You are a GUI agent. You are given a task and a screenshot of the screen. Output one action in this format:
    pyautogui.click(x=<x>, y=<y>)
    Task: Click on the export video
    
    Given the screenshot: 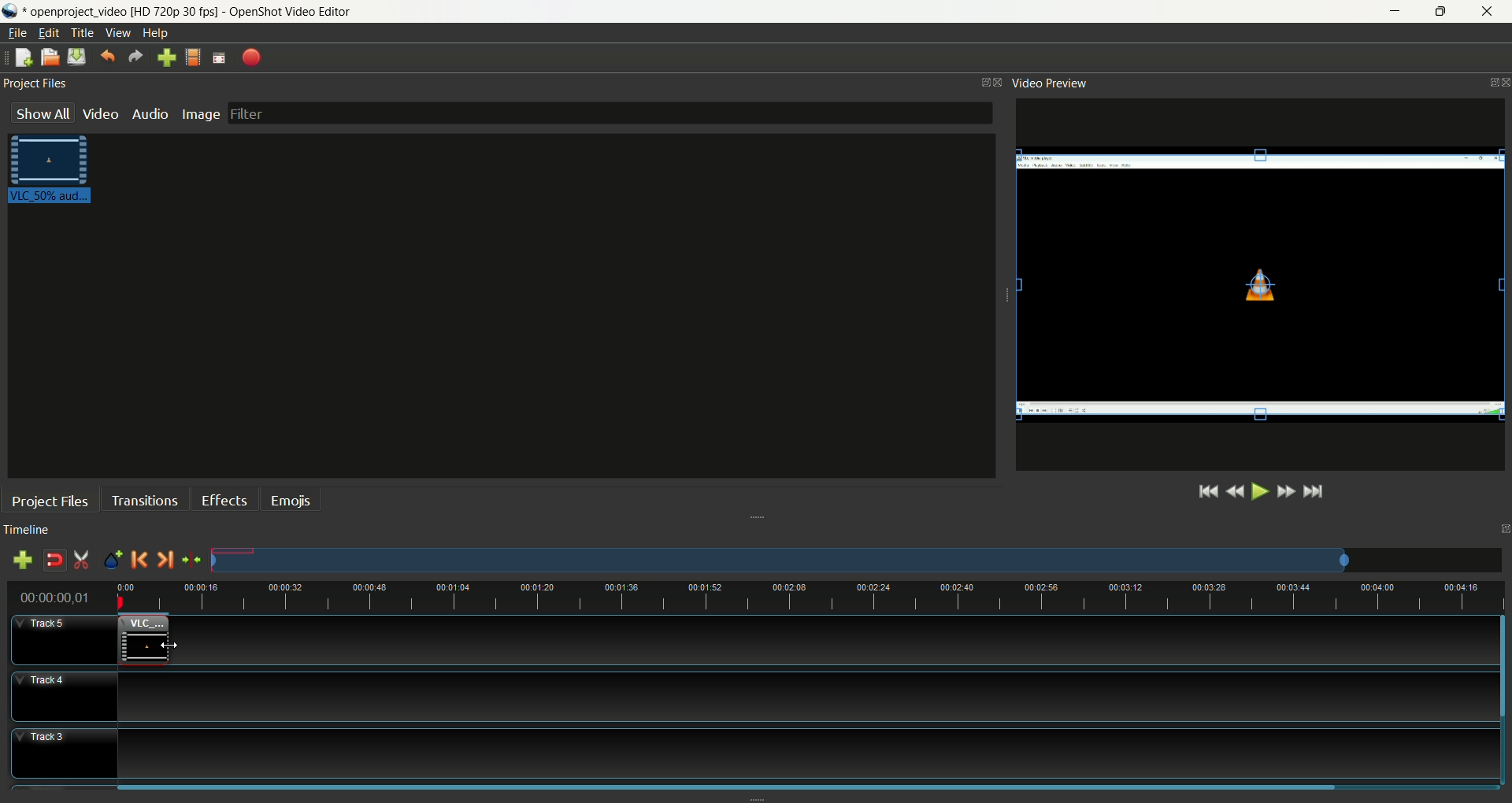 What is the action you would take?
    pyautogui.click(x=252, y=57)
    